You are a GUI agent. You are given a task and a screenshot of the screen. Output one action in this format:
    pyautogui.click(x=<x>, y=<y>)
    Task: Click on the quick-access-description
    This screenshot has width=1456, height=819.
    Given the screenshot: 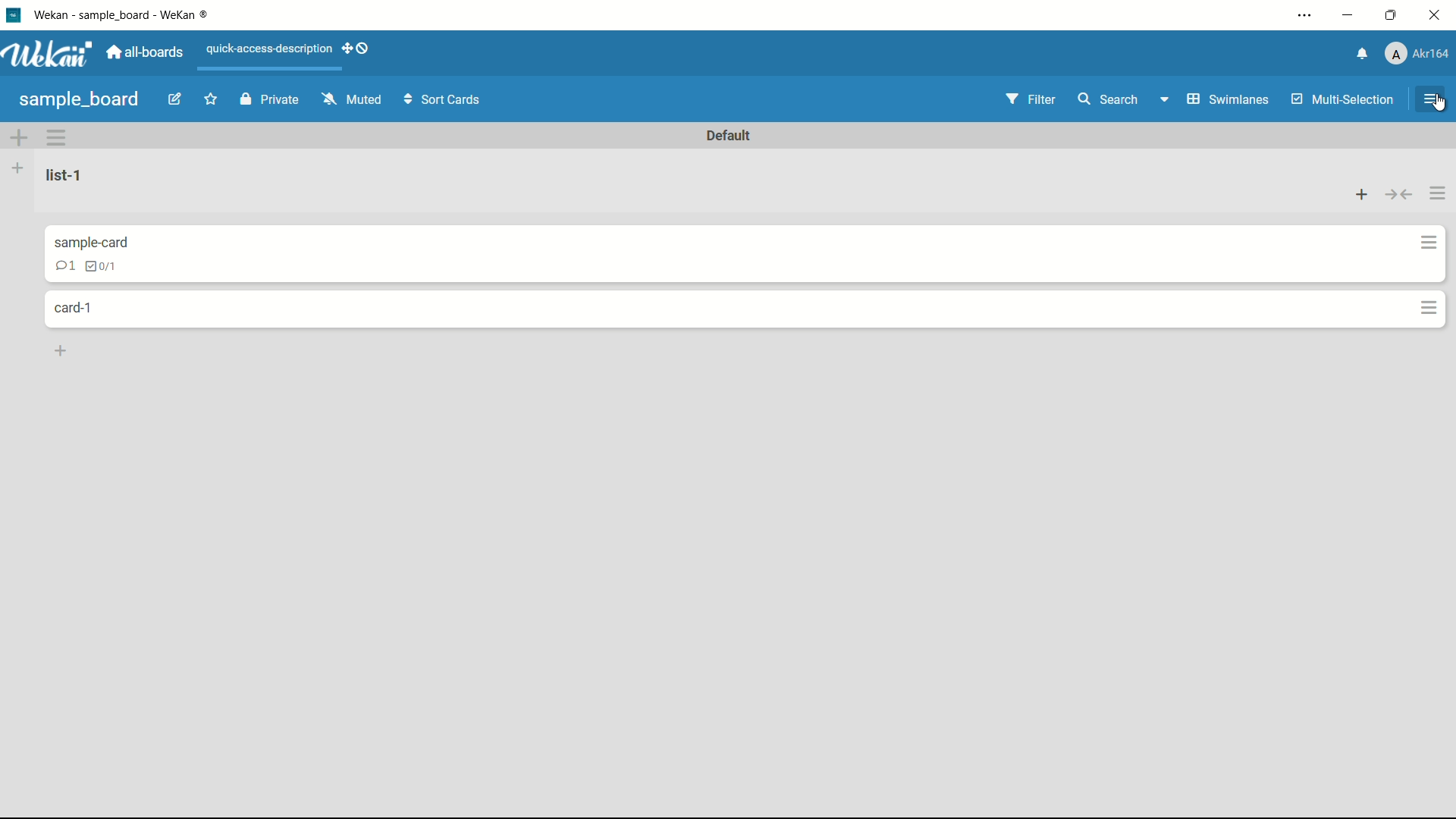 What is the action you would take?
    pyautogui.click(x=269, y=50)
    